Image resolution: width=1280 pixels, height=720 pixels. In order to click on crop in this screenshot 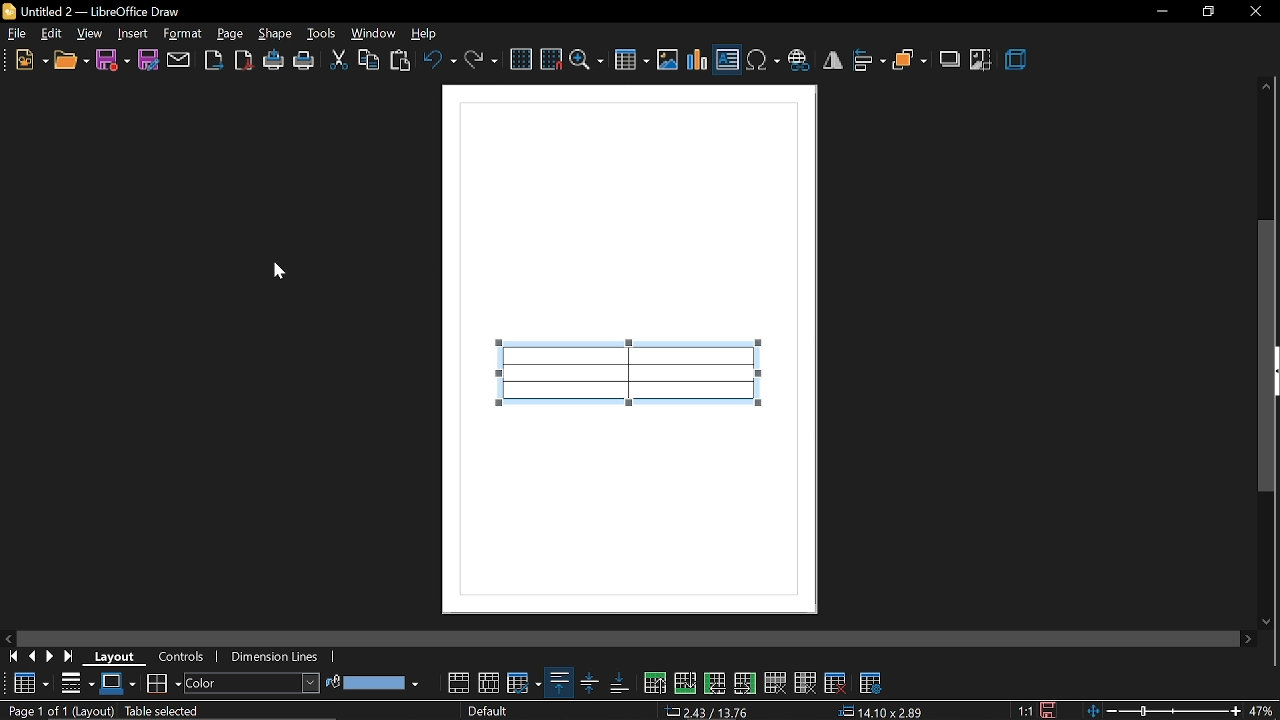, I will do `click(982, 60)`.